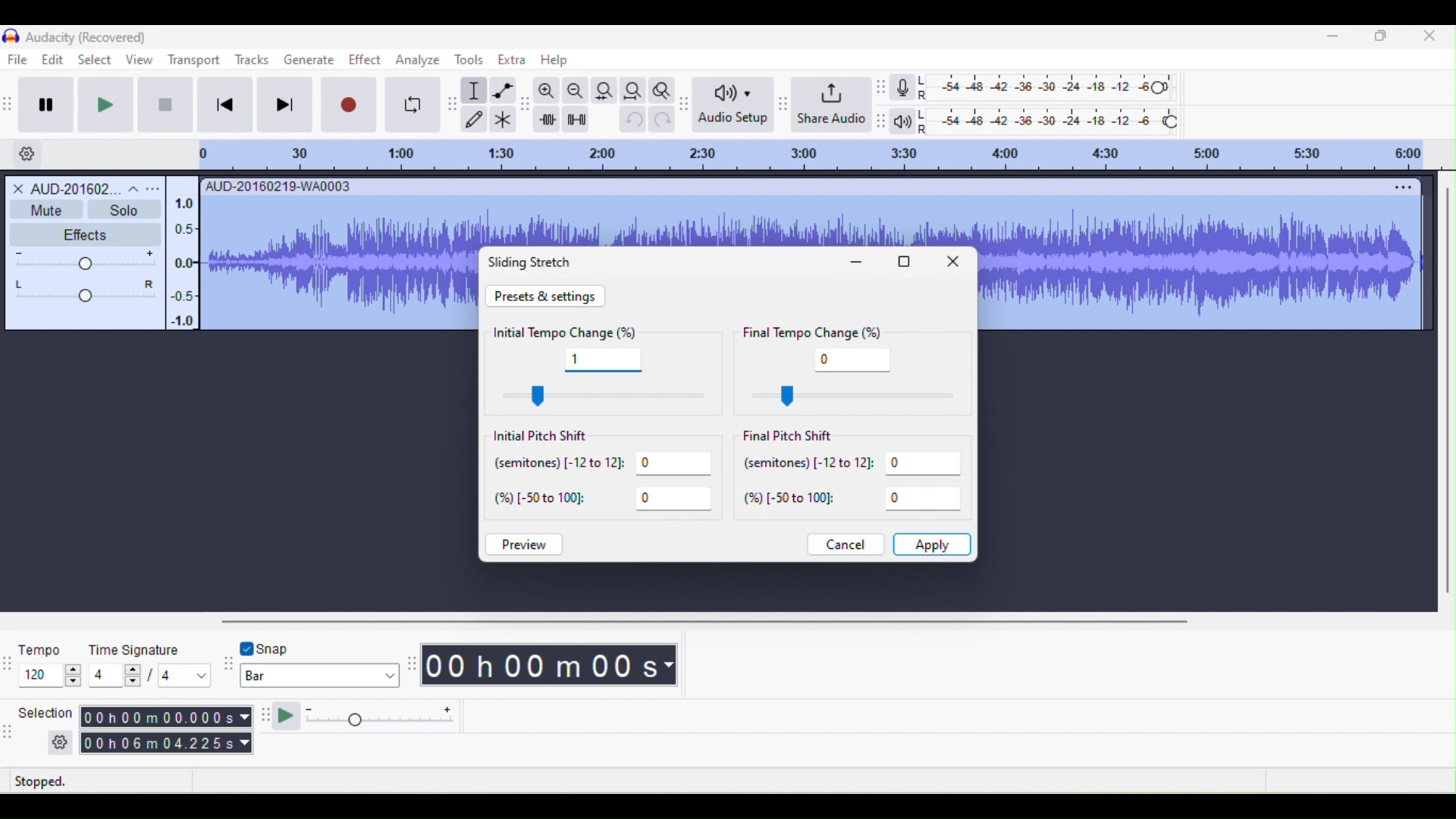  Describe the element at coordinates (319, 676) in the screenshot. I see `bar` at that location.